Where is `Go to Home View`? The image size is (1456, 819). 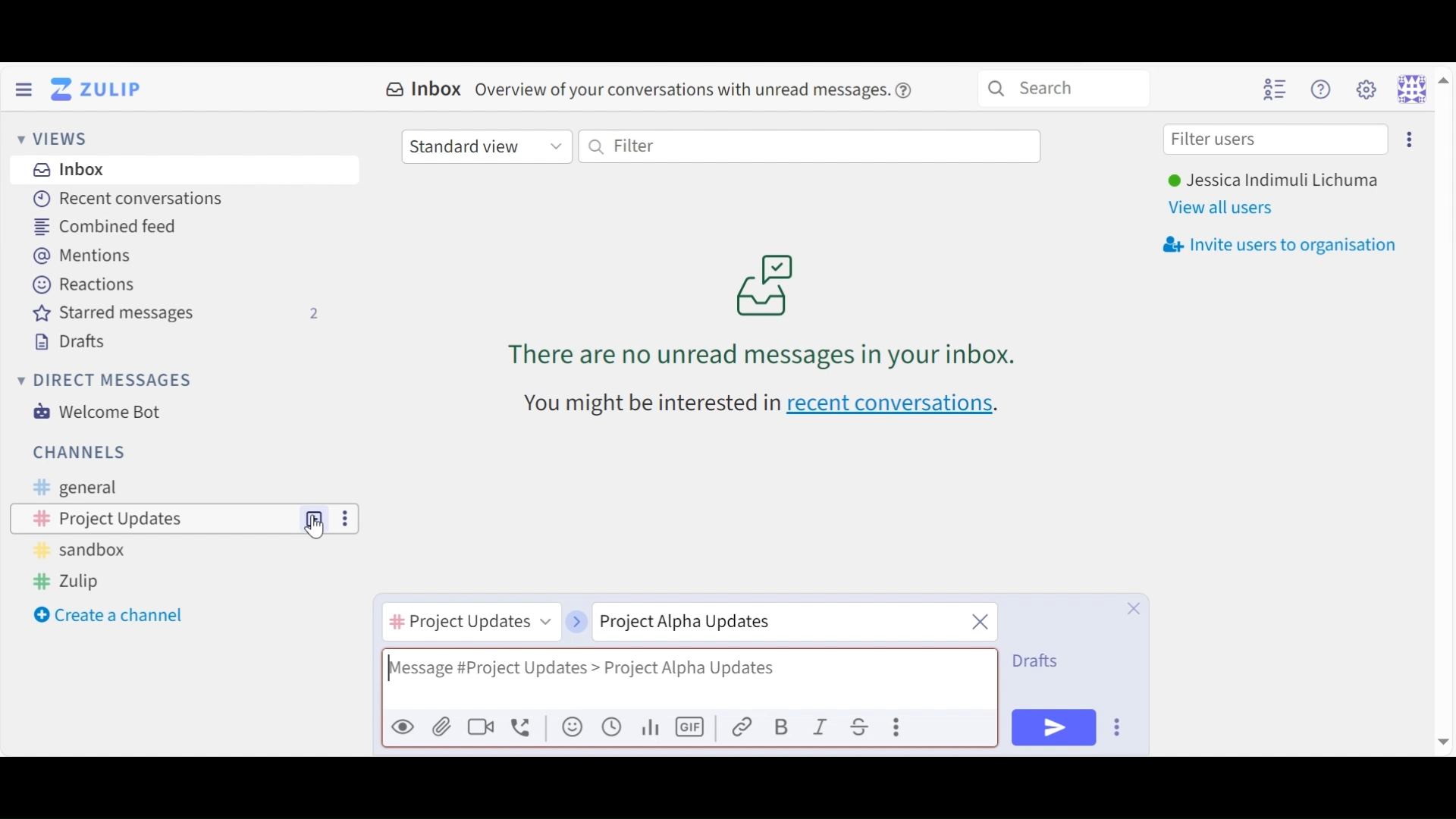 Go to Home View is located at coordinates (99, 89).